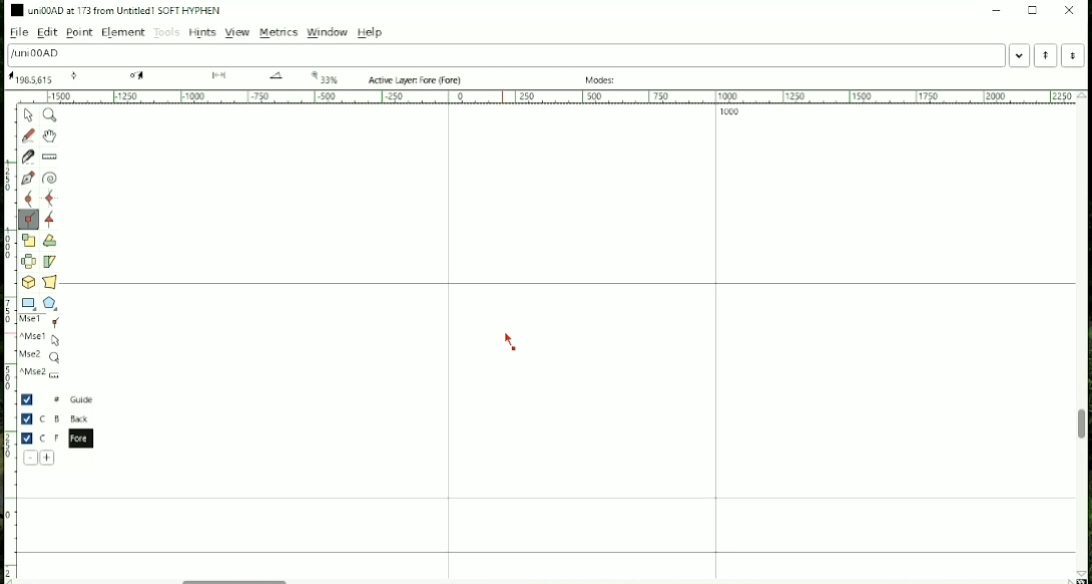  Describe the element at coordinates (50, 221) in the screenshot. I see `Add a tangent point` at that location.